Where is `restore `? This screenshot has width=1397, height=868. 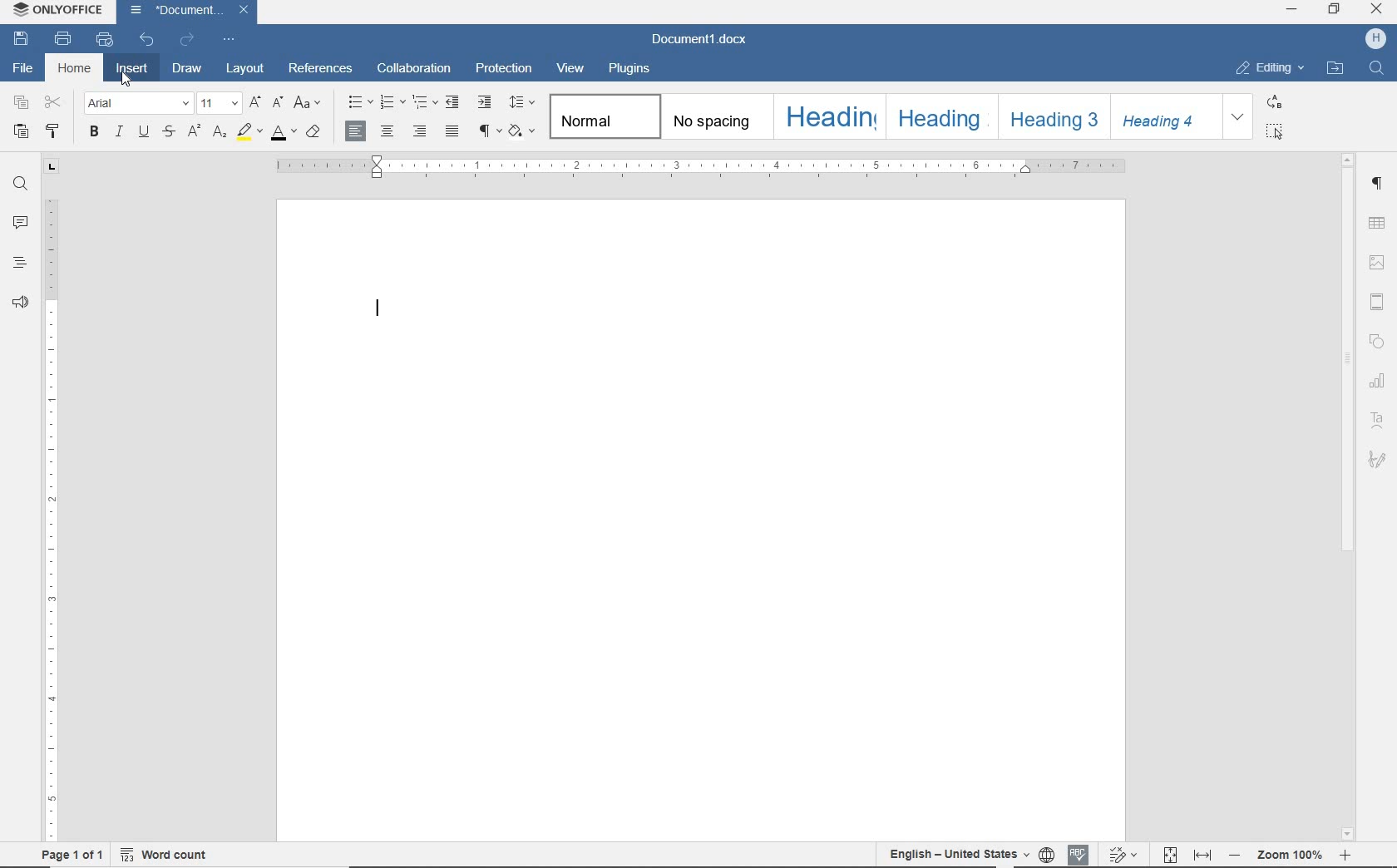 restore  is located at coordinates (1334, 9).